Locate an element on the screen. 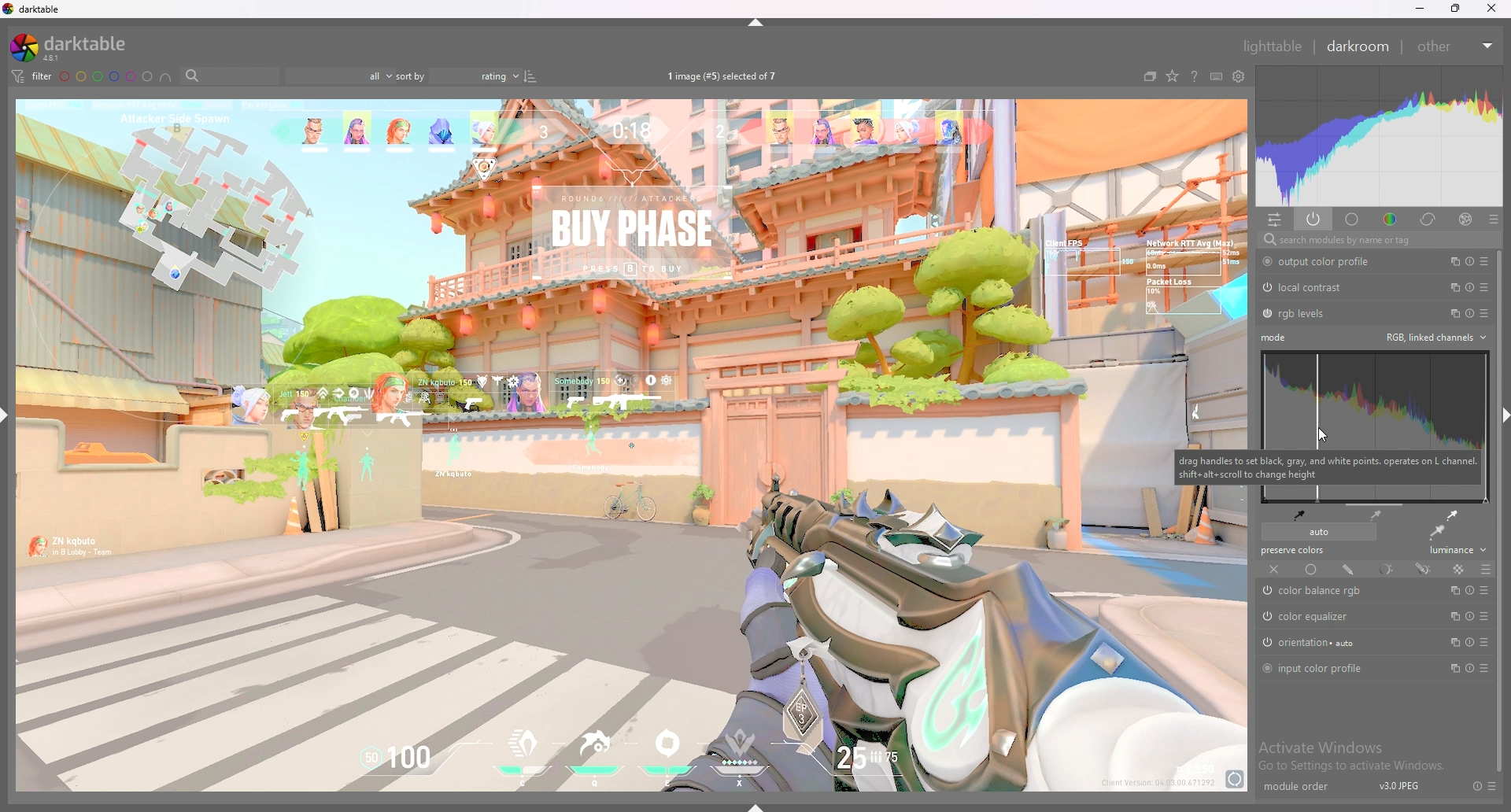 This screenshot has height=812, width=1511. presets is located at coordinates (1484, 313).